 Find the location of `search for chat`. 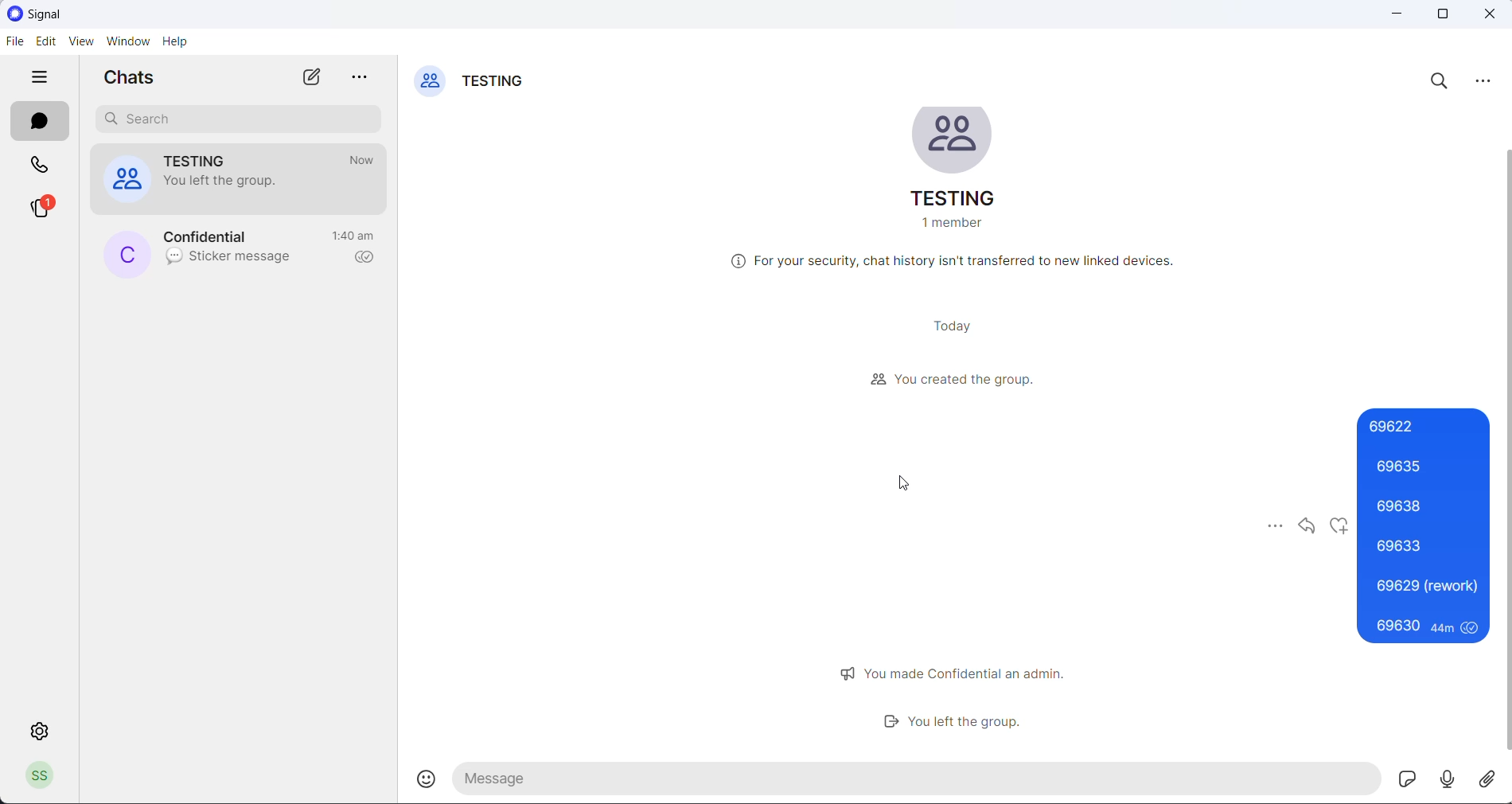

search for chat is located at coordinates (241, 121).